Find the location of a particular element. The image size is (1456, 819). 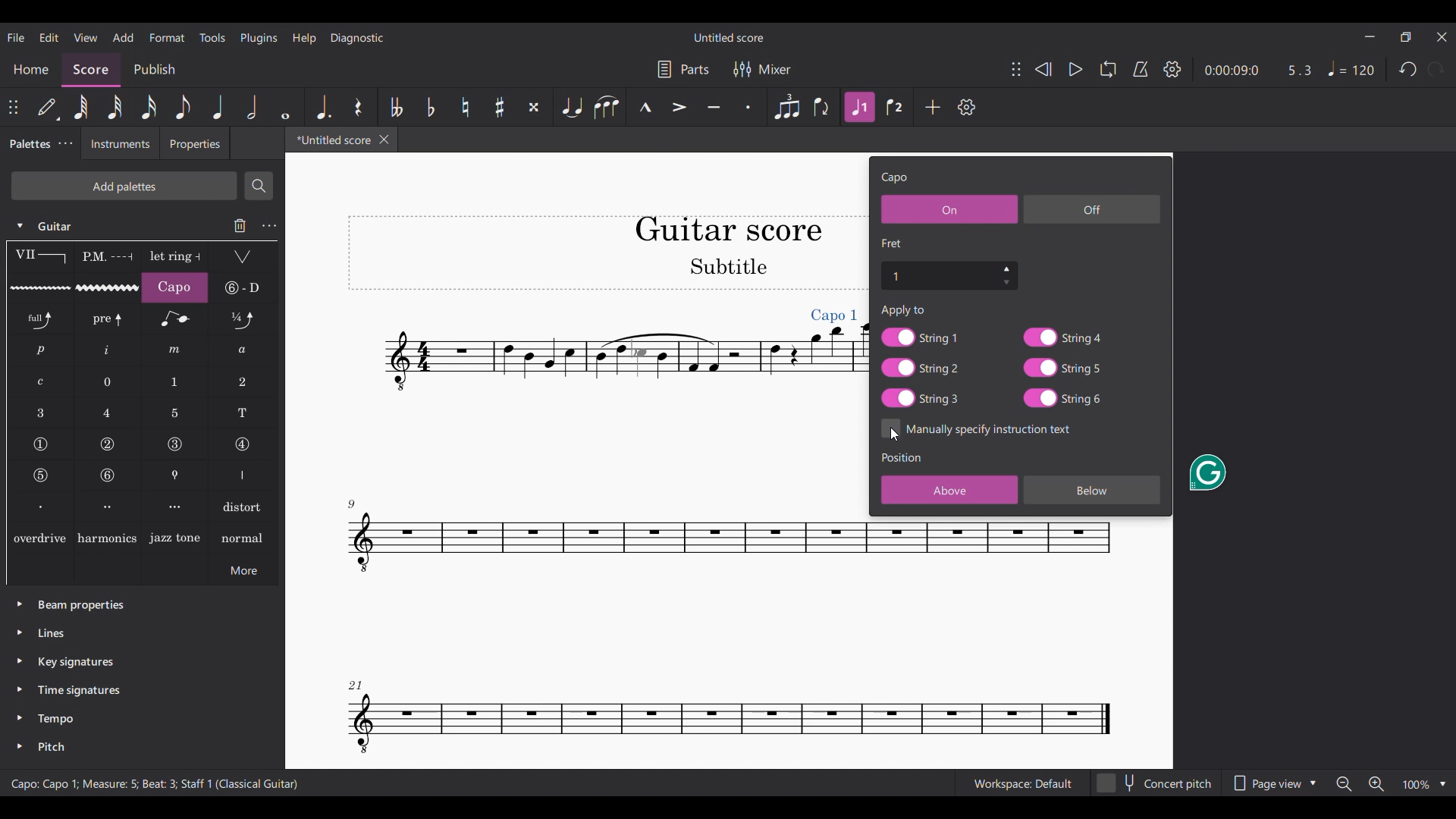

Undo is located at coordinates (1407, 69).